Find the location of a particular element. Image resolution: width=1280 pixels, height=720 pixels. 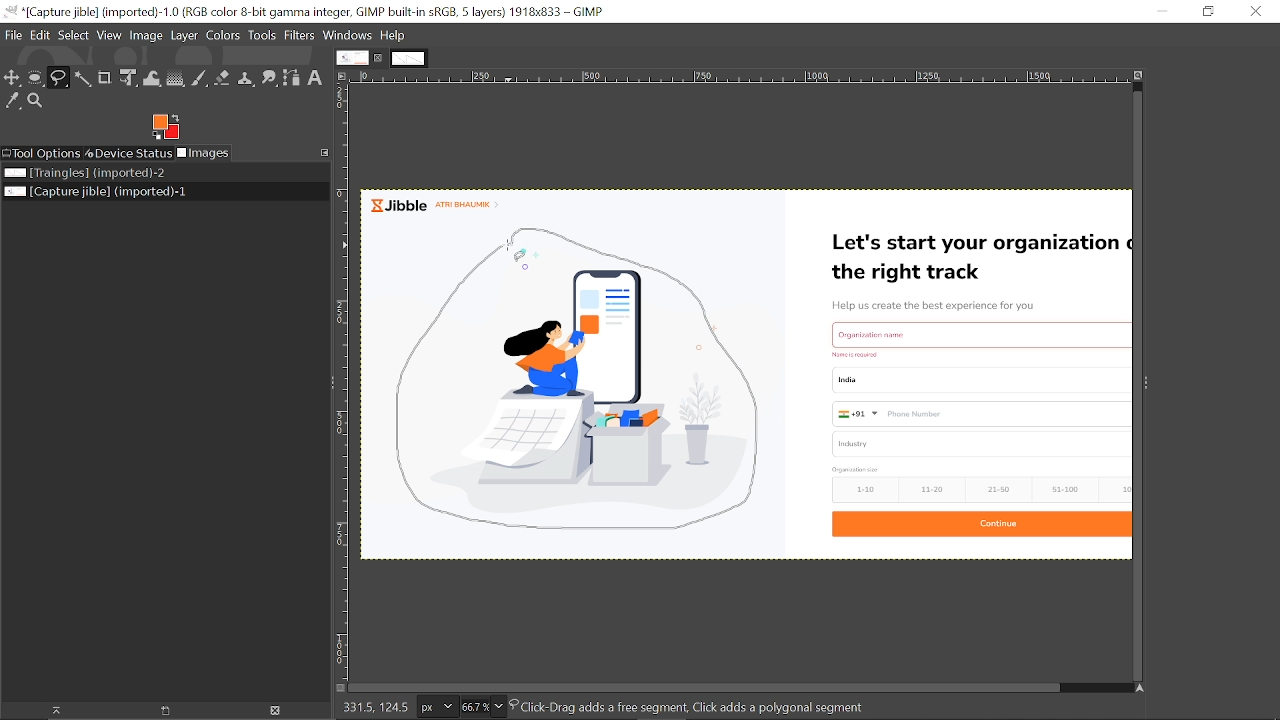

Side bar menu is located at coordinates (1147, 390).